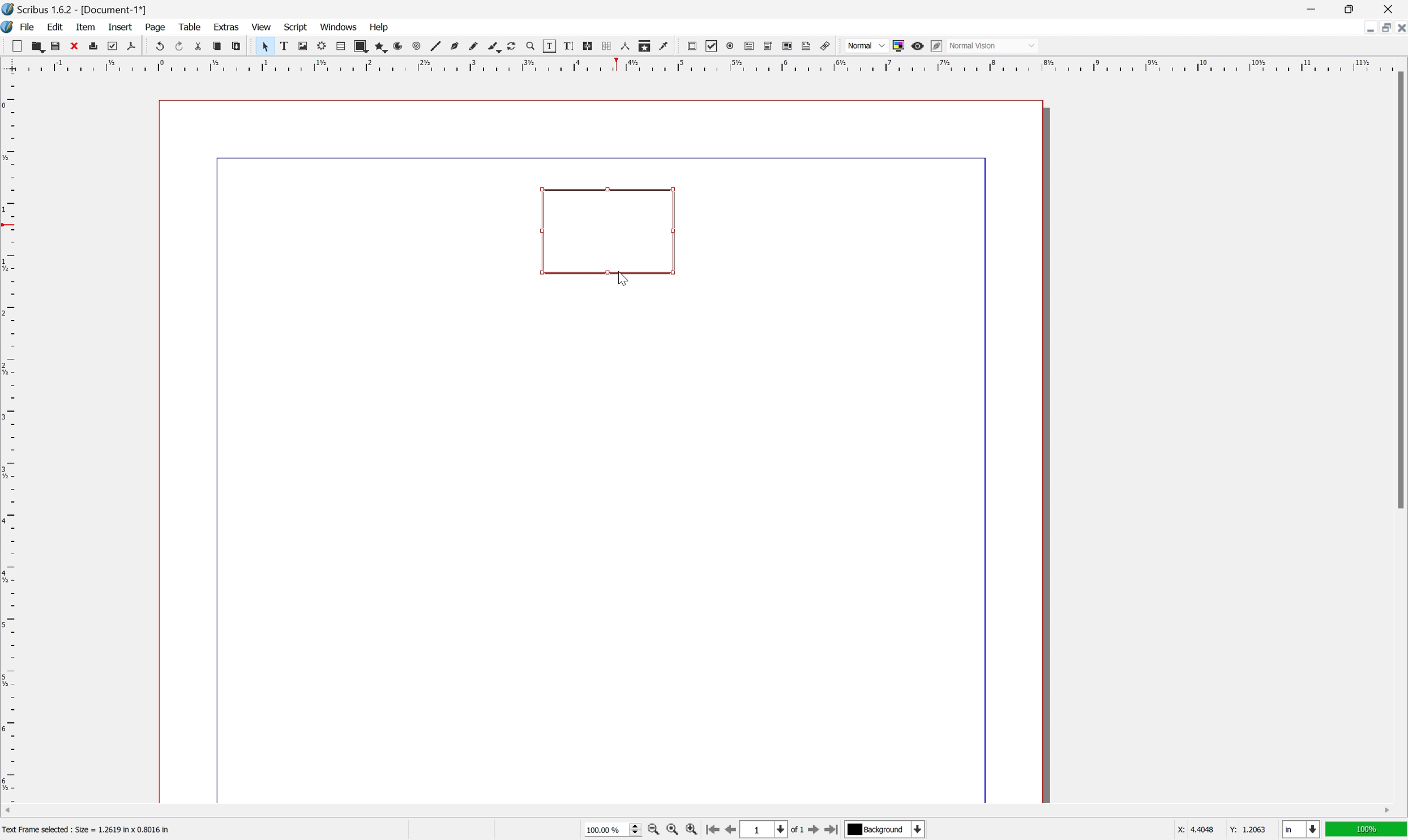 The image size is (1408, 840). I want to click on undo, so click(161, 46).